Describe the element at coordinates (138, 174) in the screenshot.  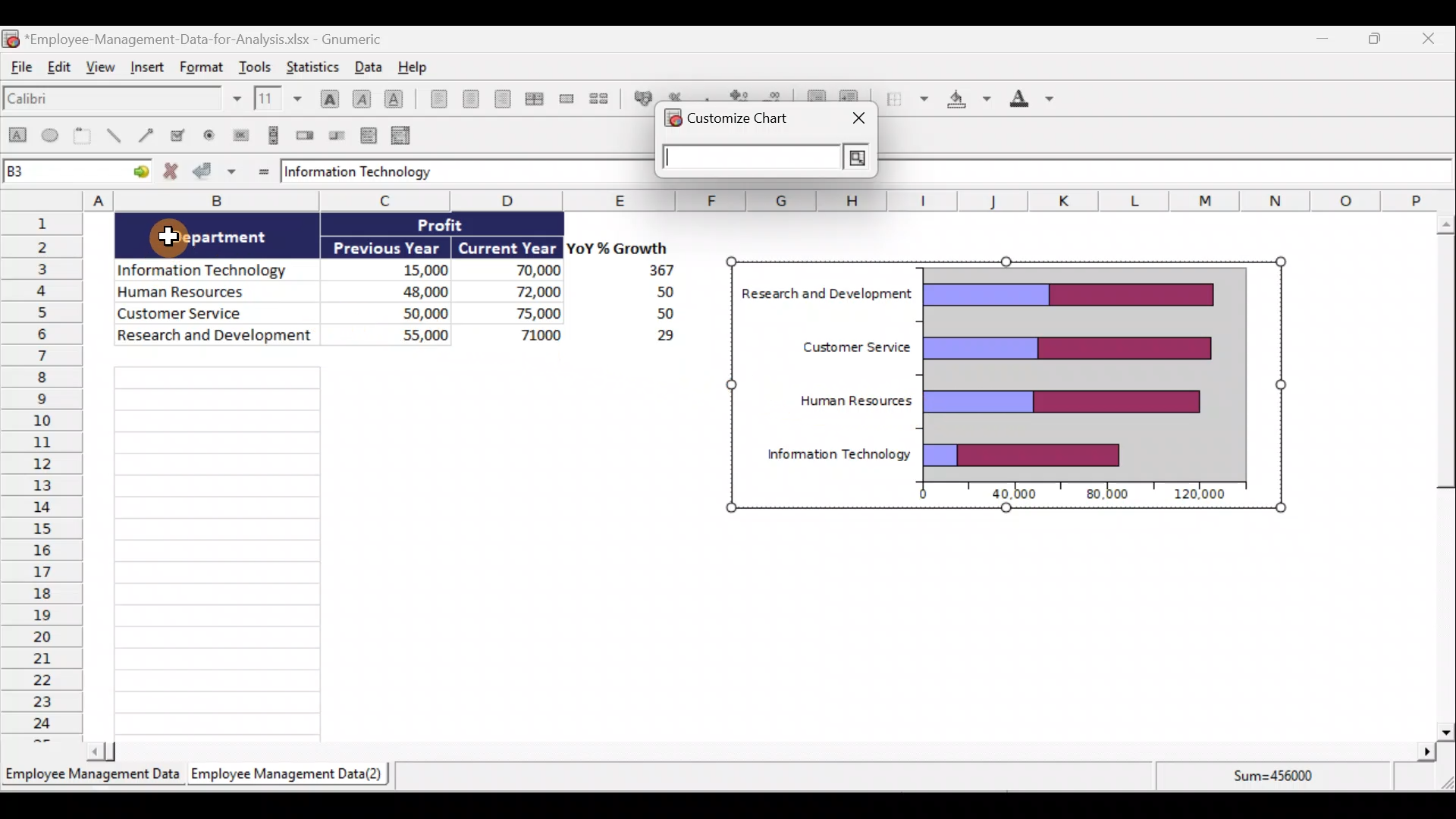
I see `Go to` at that location.